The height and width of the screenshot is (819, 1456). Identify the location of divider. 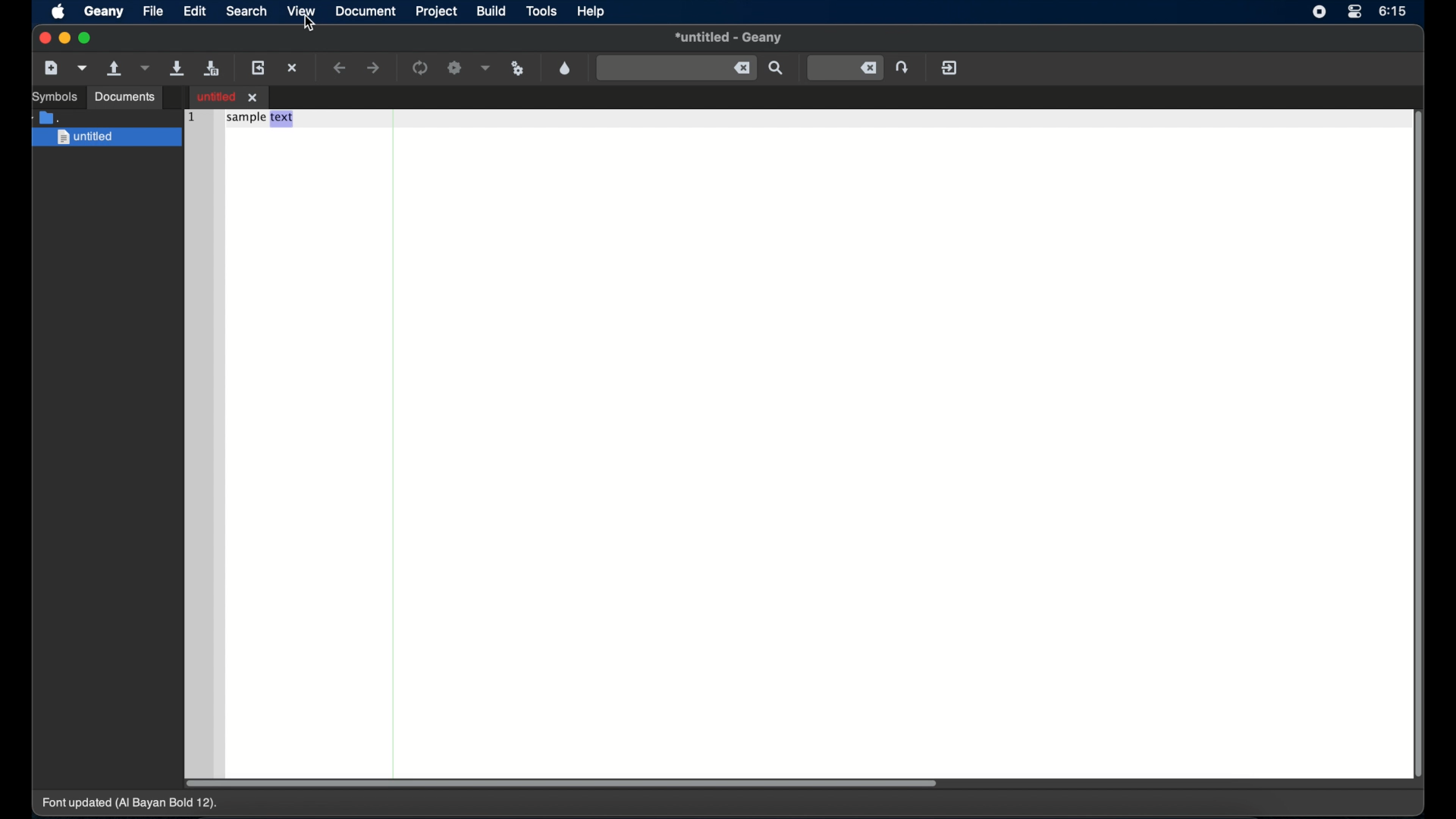
(395, 440).